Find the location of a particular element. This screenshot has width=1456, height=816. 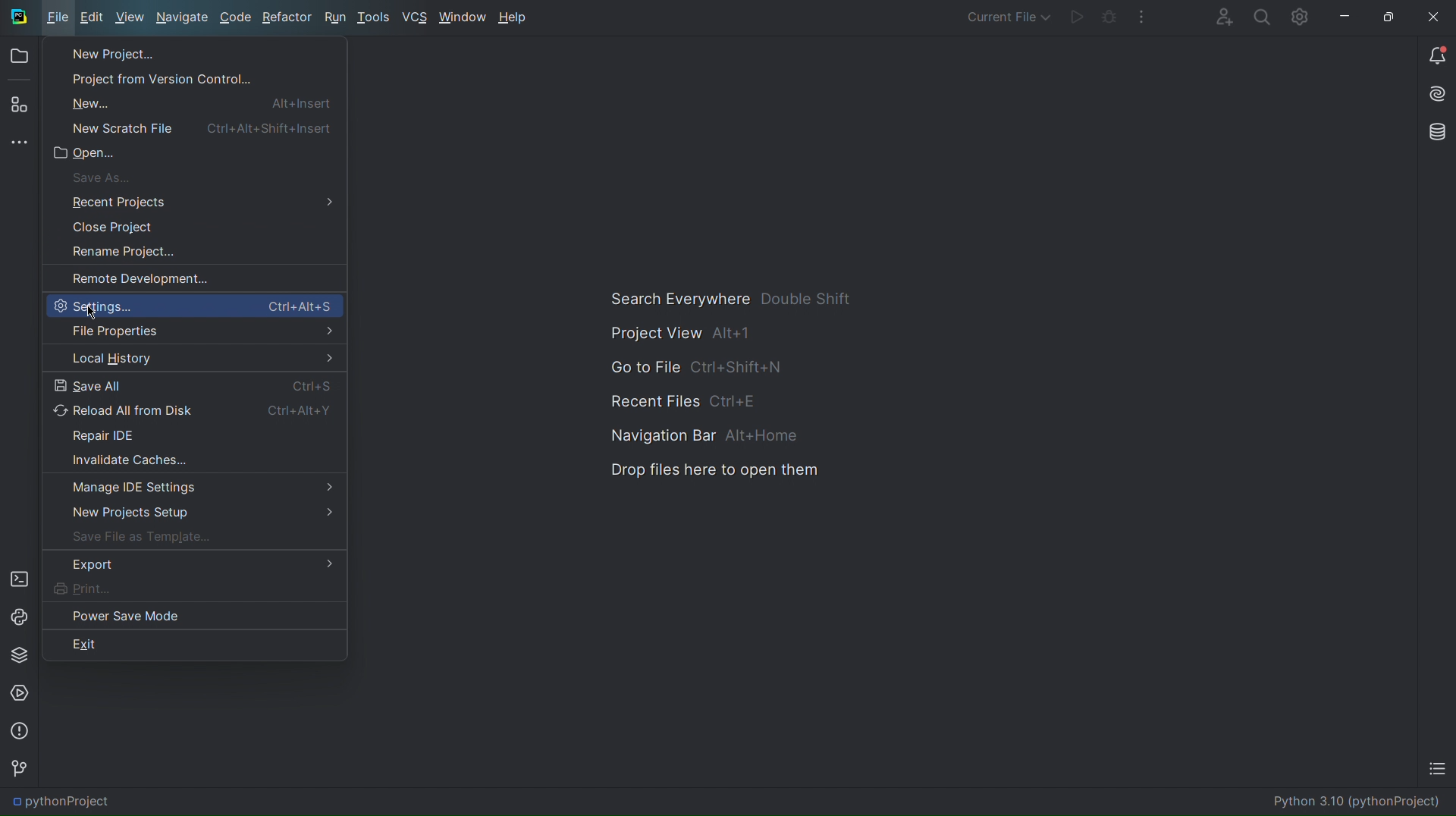

Tools is located at coordinates (375, 17).